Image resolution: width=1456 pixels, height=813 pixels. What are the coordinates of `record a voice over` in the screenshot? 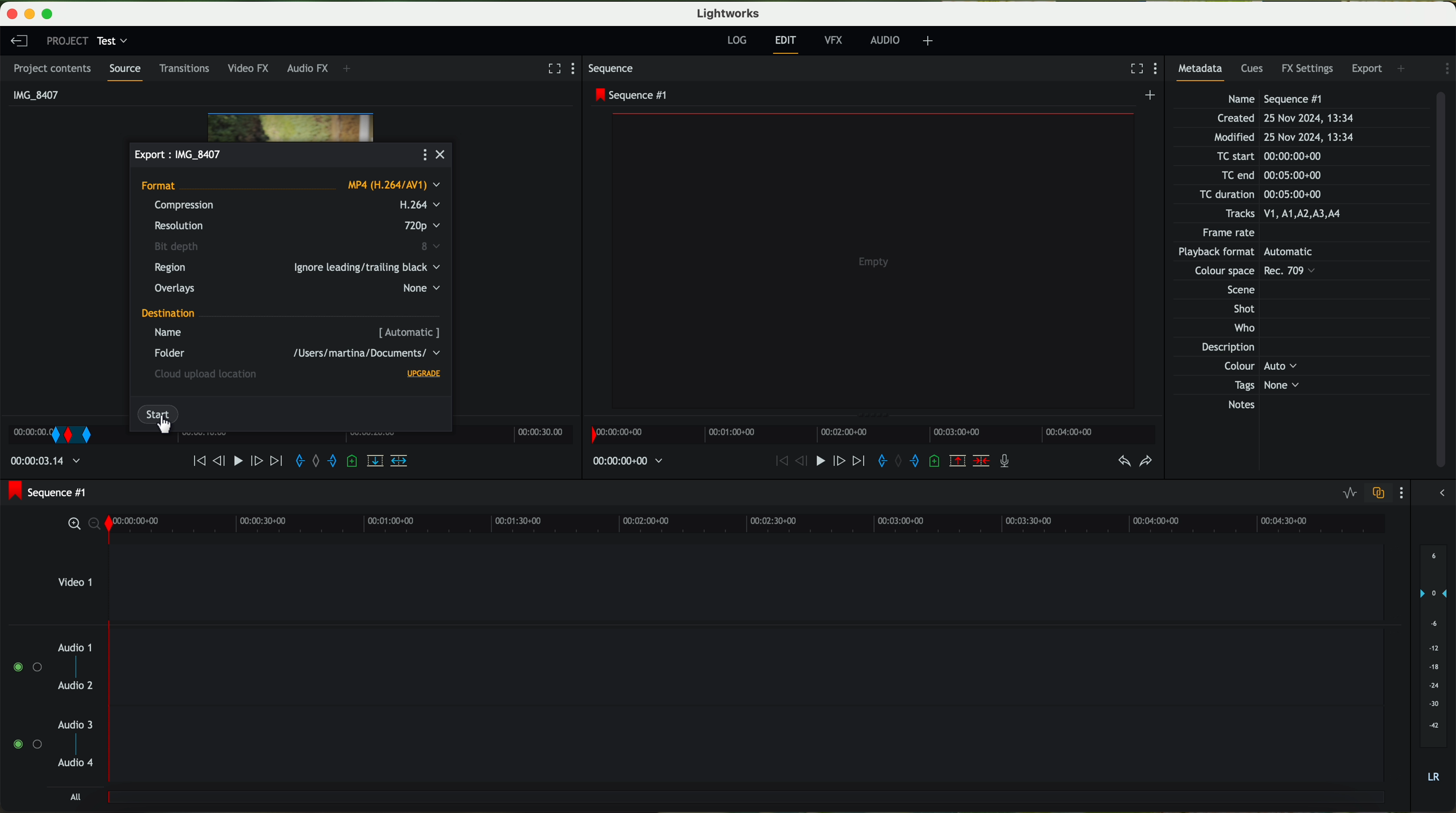 It's located at (1006, 460).